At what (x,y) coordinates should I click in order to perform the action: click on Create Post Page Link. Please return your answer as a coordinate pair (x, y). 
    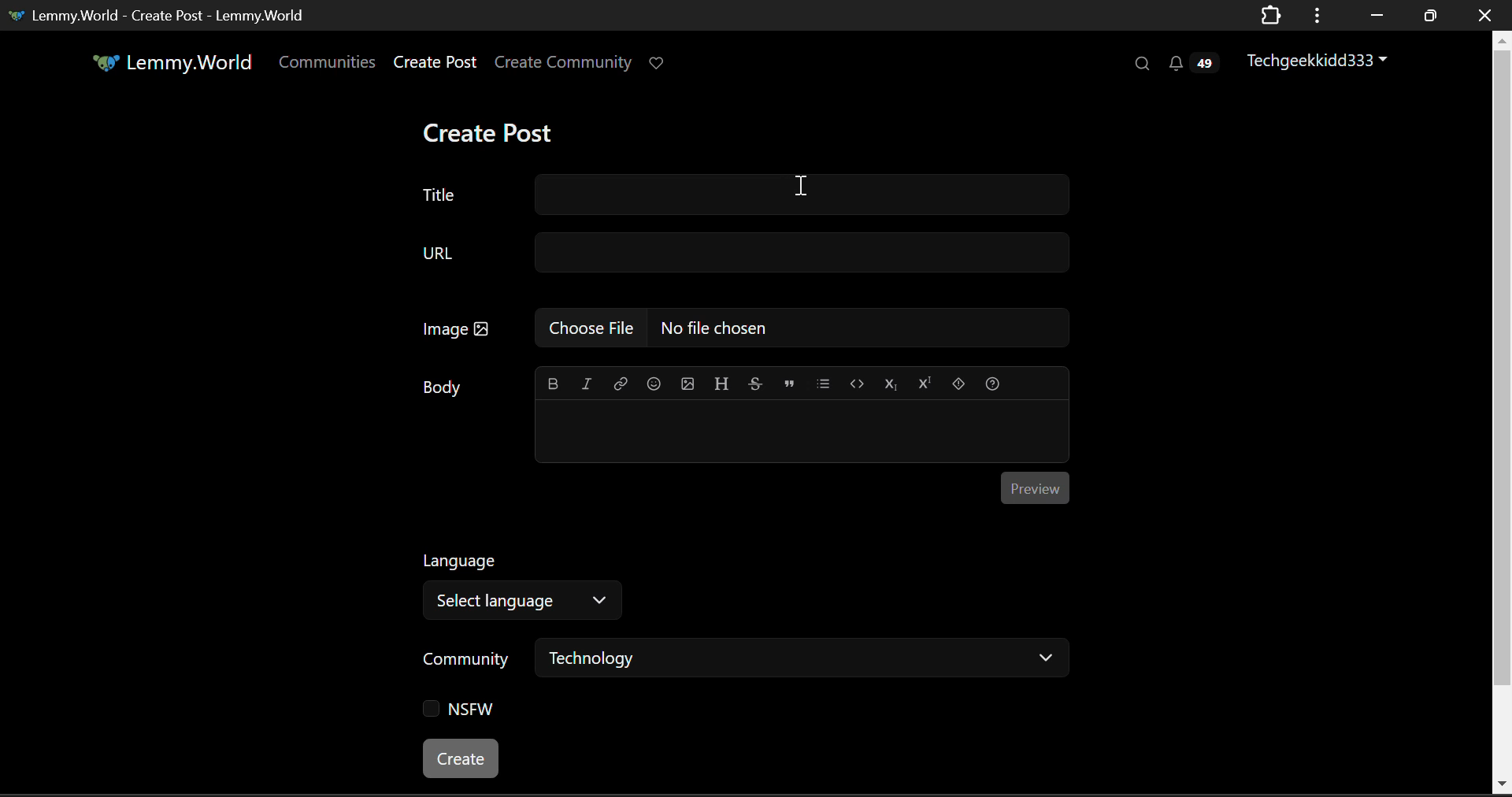
    Looking at the image, I should click on (435, 61).